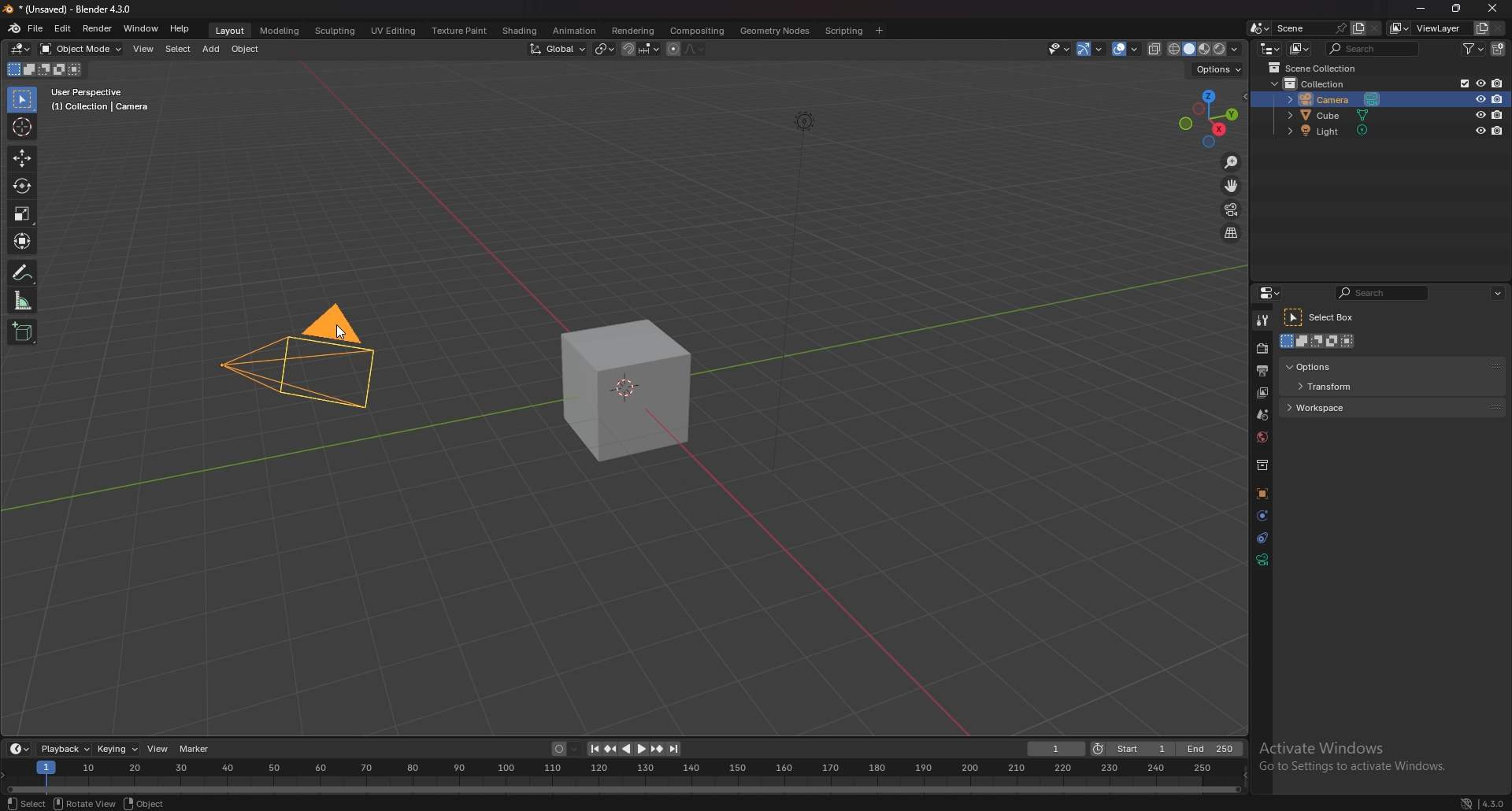  I want to click on layer, so click(1262, 393).